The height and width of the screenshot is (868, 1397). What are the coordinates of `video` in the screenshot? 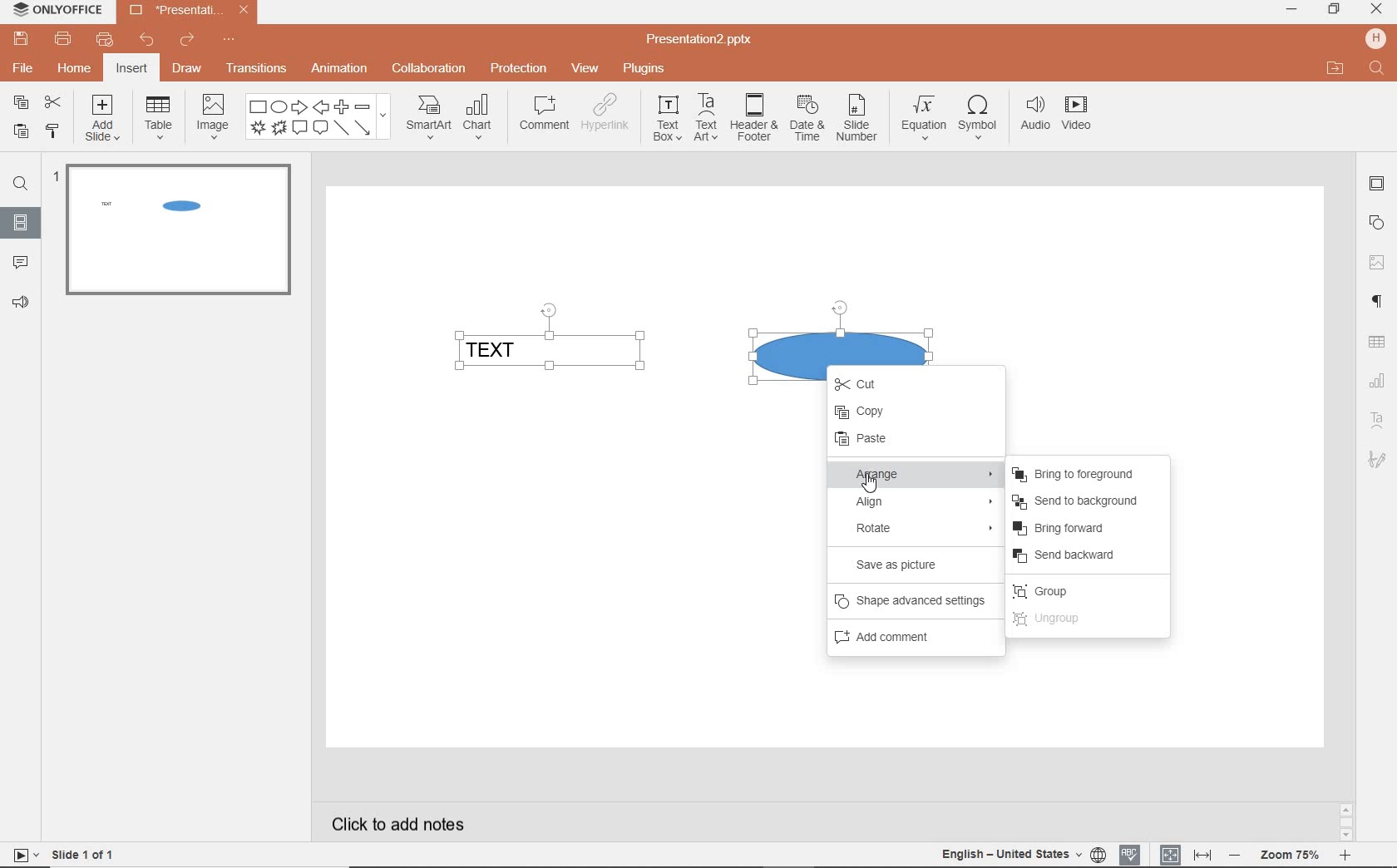 It's located at (1078, 116).